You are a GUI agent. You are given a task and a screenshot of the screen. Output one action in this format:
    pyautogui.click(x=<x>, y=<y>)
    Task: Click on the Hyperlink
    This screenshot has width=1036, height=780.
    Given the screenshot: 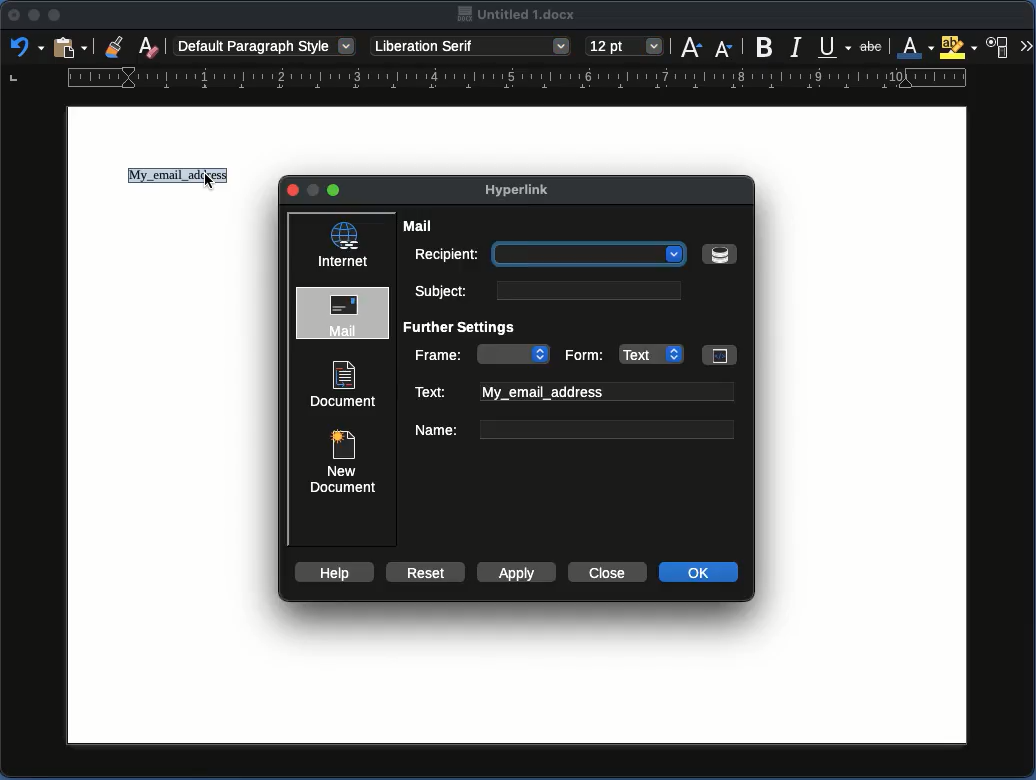 What is the action you would take?
    pyautogui.click(x=526, y=192)
    